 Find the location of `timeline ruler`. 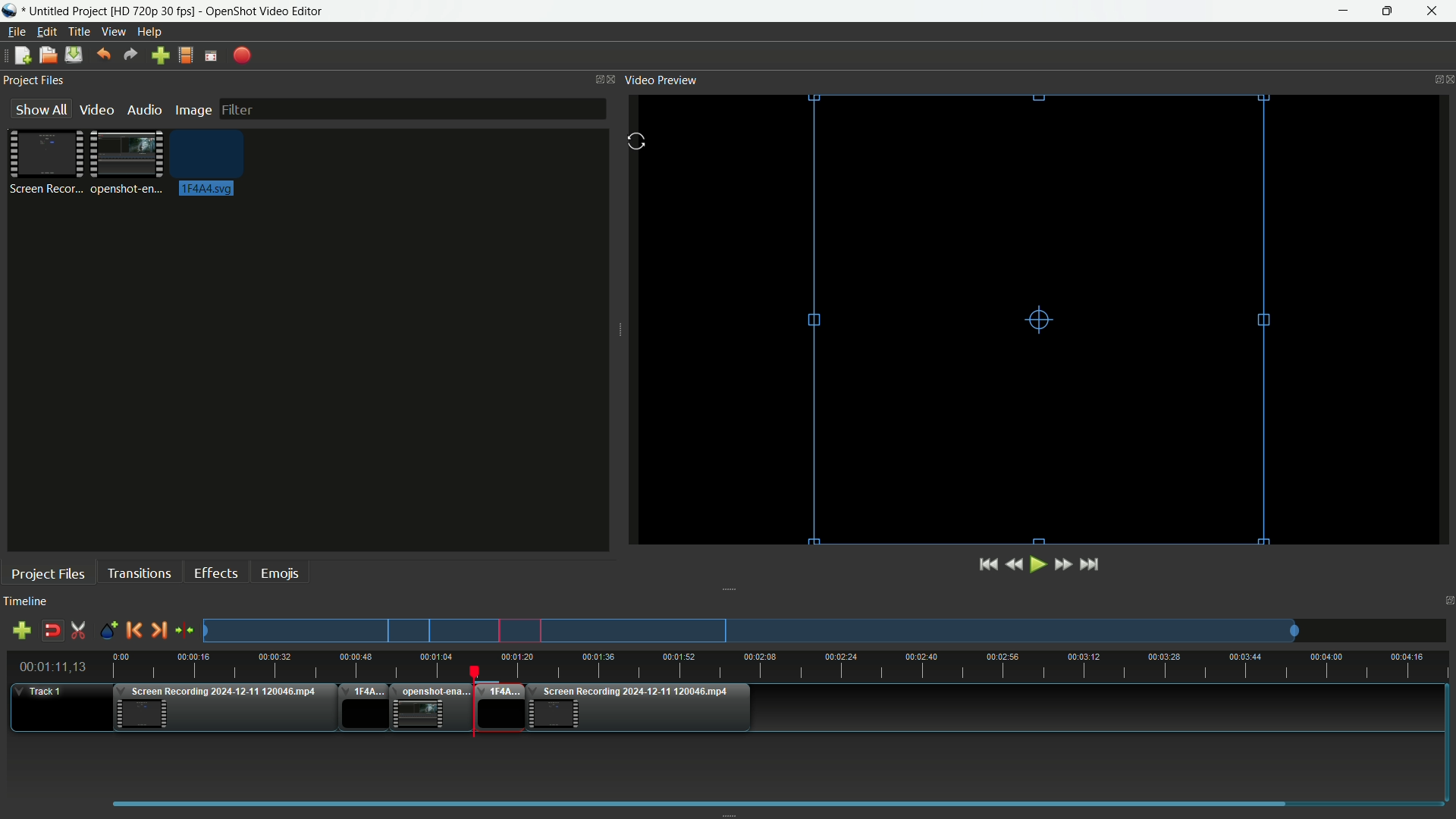

timeline ruler is located at coordinates (781, 667).